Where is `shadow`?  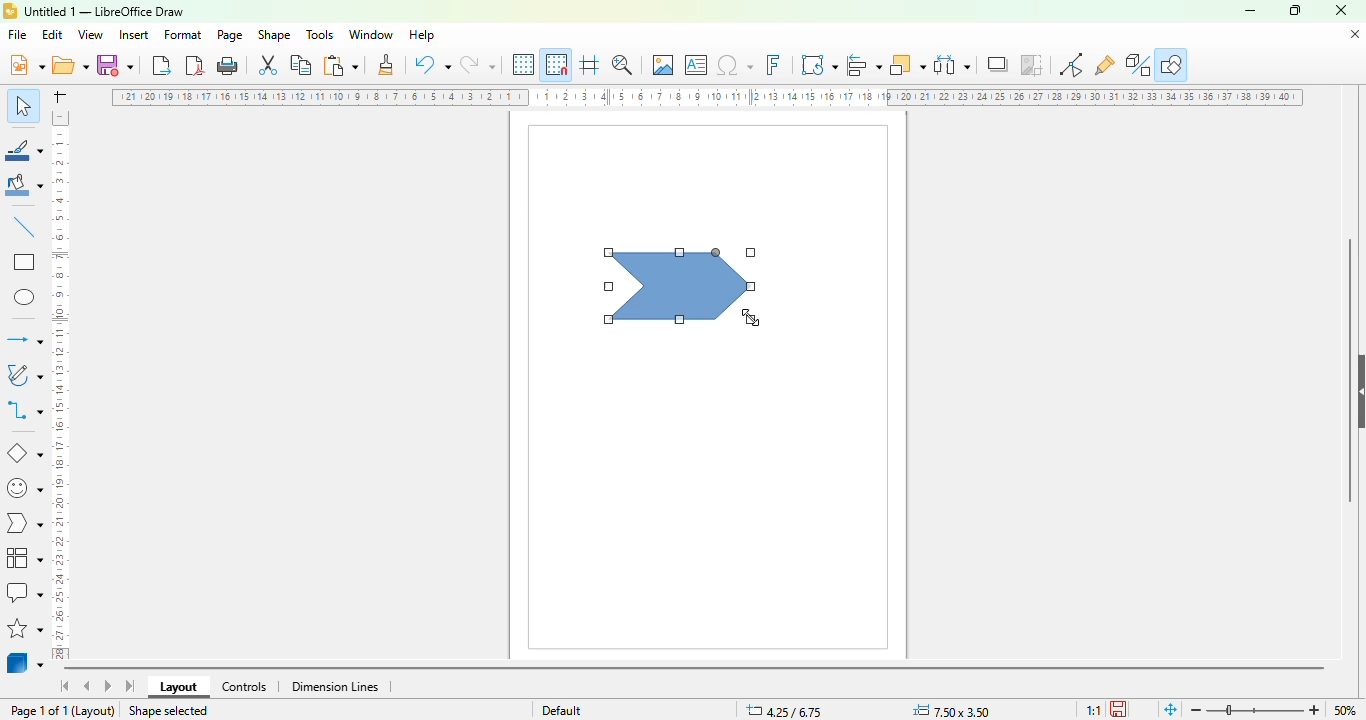 shadow is located at coordinates (997, 64).